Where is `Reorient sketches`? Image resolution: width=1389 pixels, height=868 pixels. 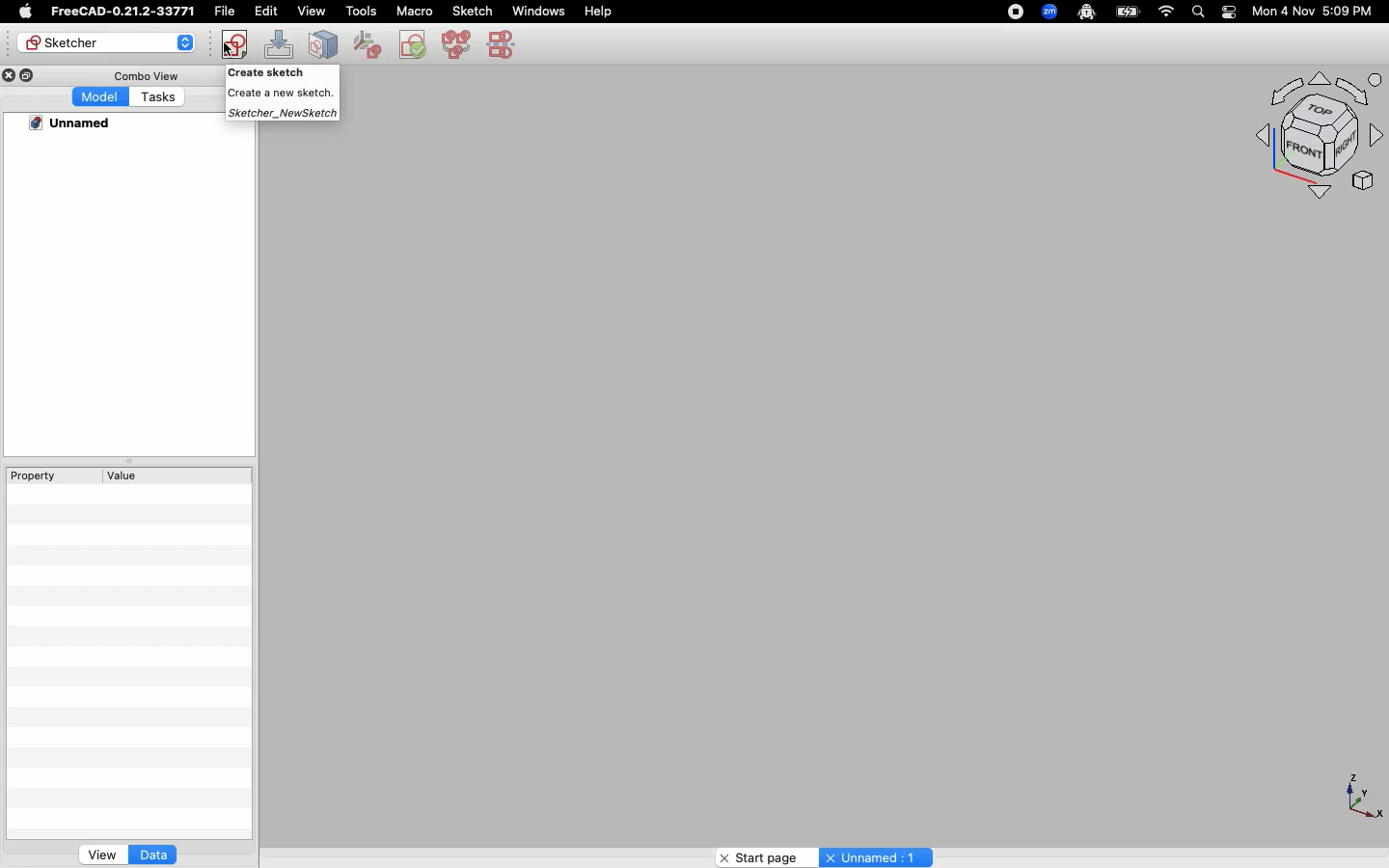
Reorient sketches is located at coordinates (412, 44).